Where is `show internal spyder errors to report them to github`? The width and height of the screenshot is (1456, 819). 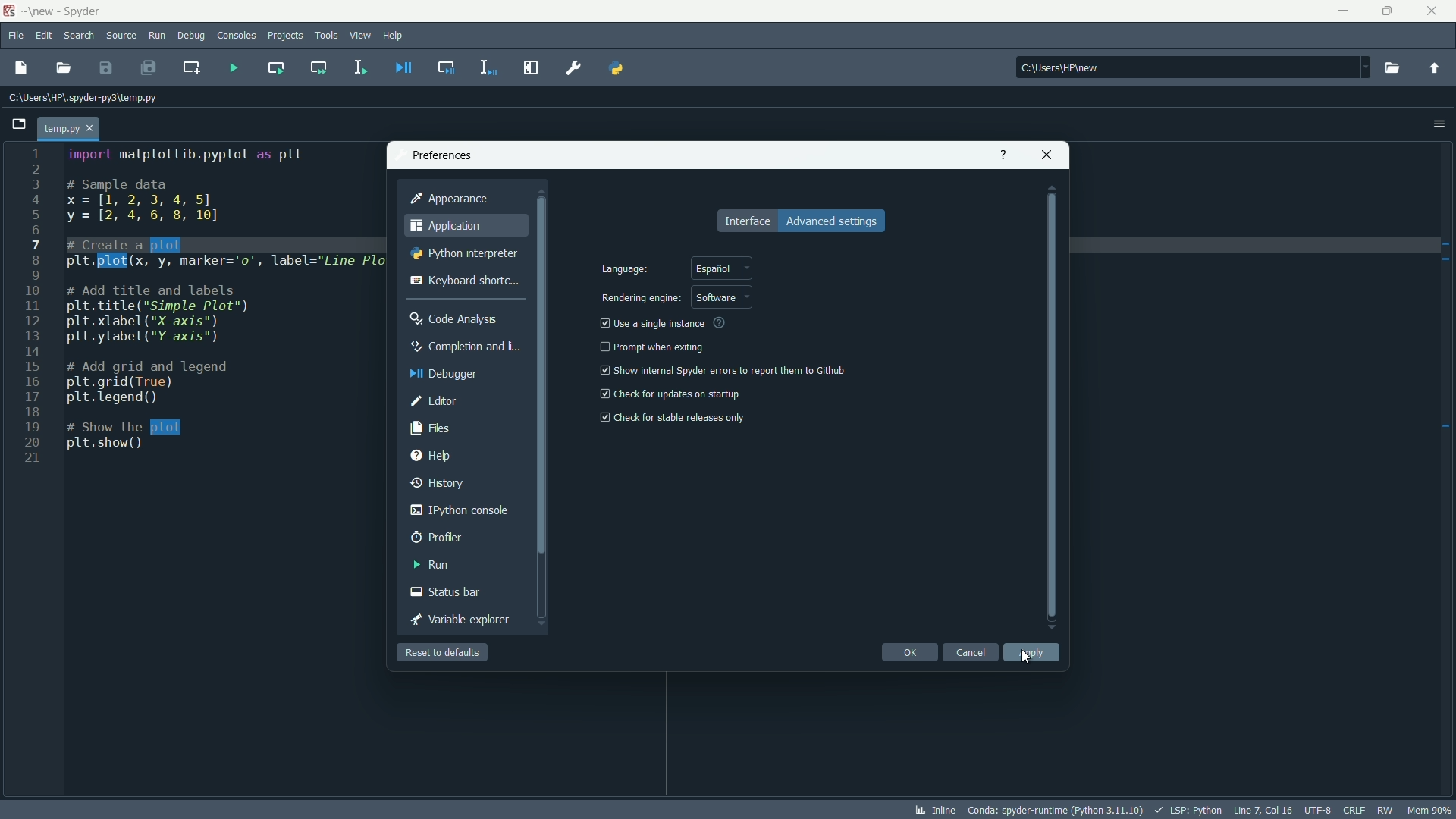
show internal spyder errors to report them to github is located at coordinates (733, 370).